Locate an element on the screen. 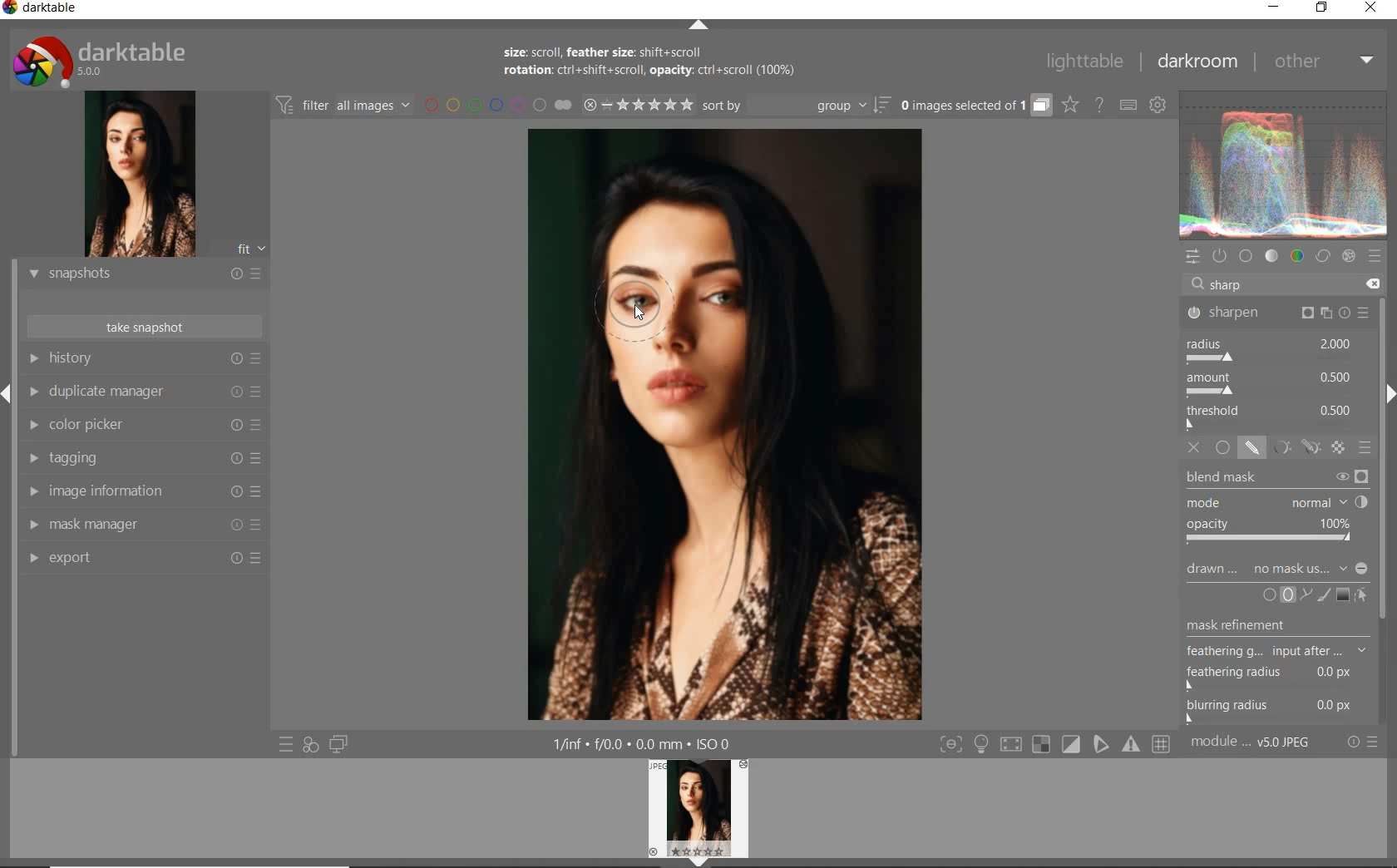  add gradient is located at coordinates (1344, 594).